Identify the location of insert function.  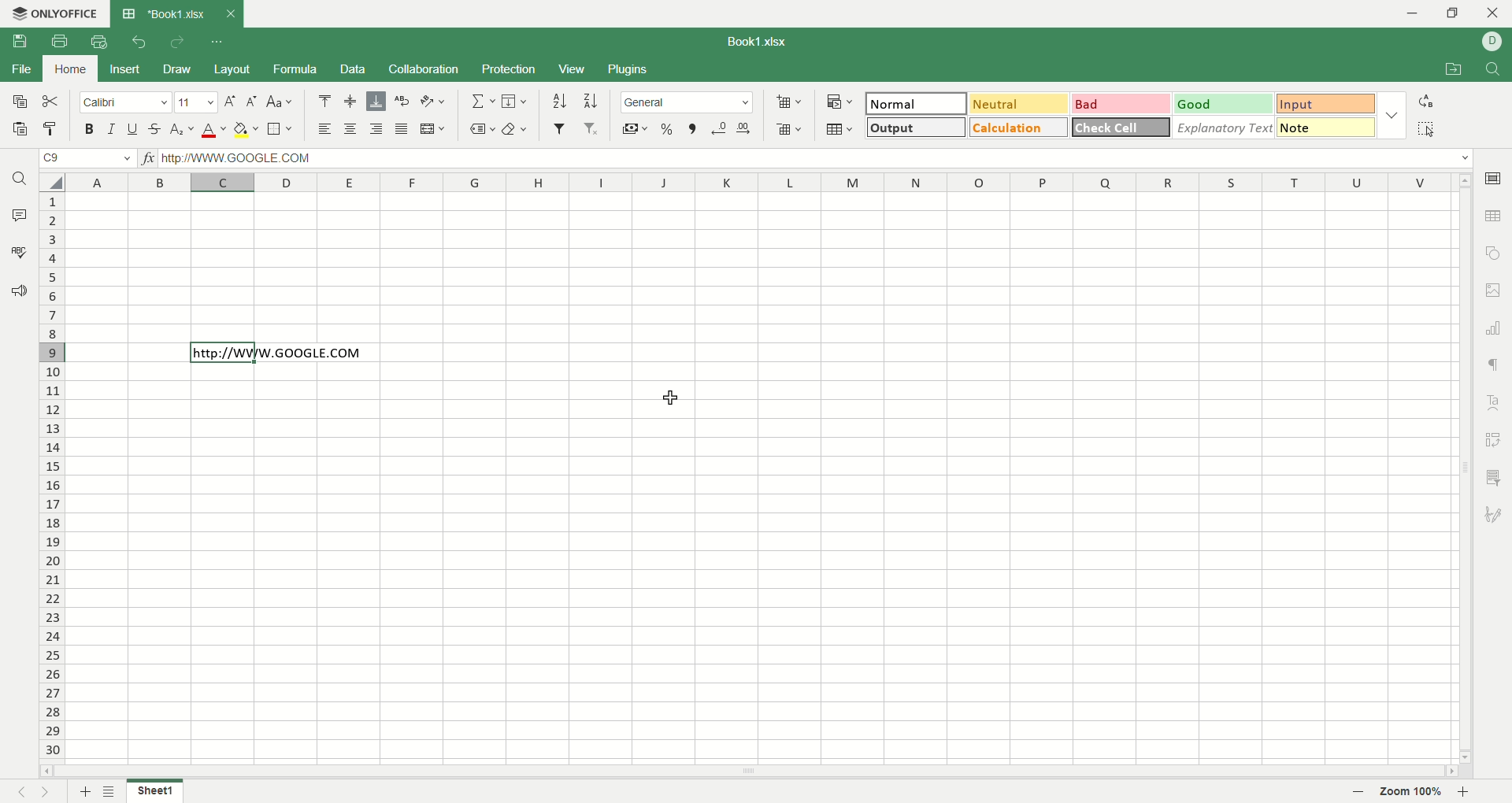
(149, 159).